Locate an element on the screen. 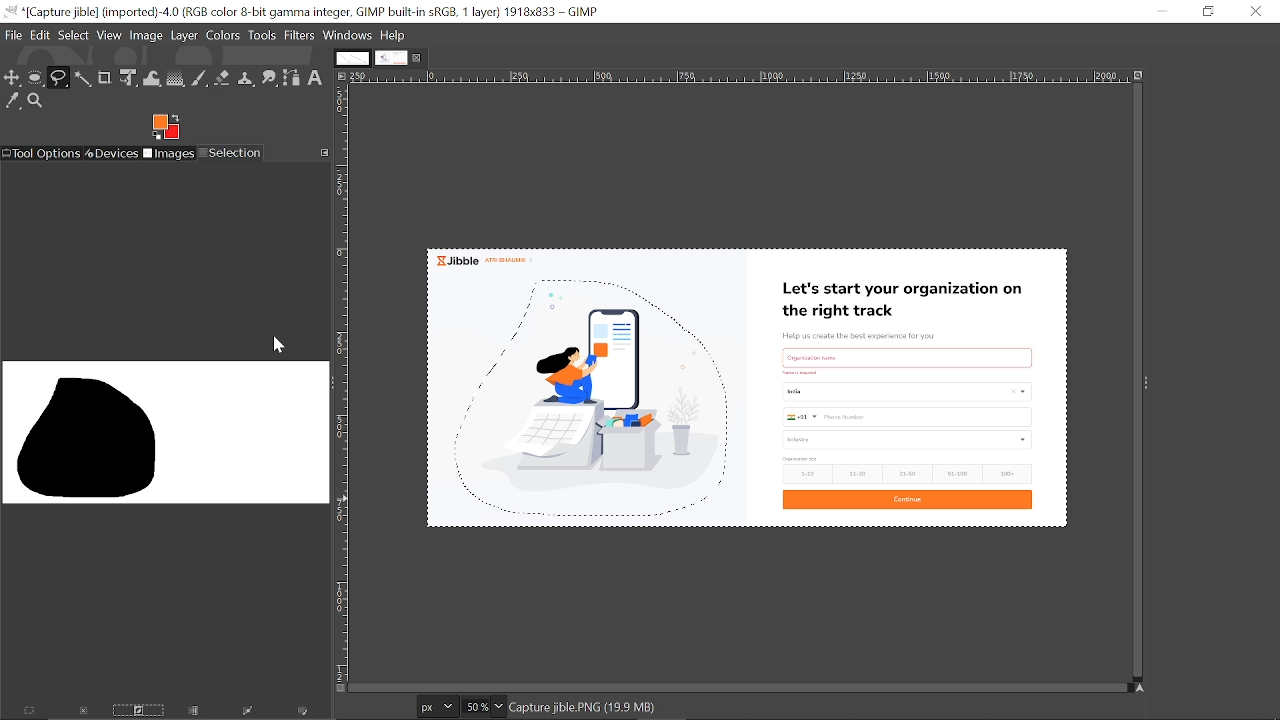 Image resolution: width=1280 pixels, height=720 pixels. Color picker tool is located at coordinates (12, 101).